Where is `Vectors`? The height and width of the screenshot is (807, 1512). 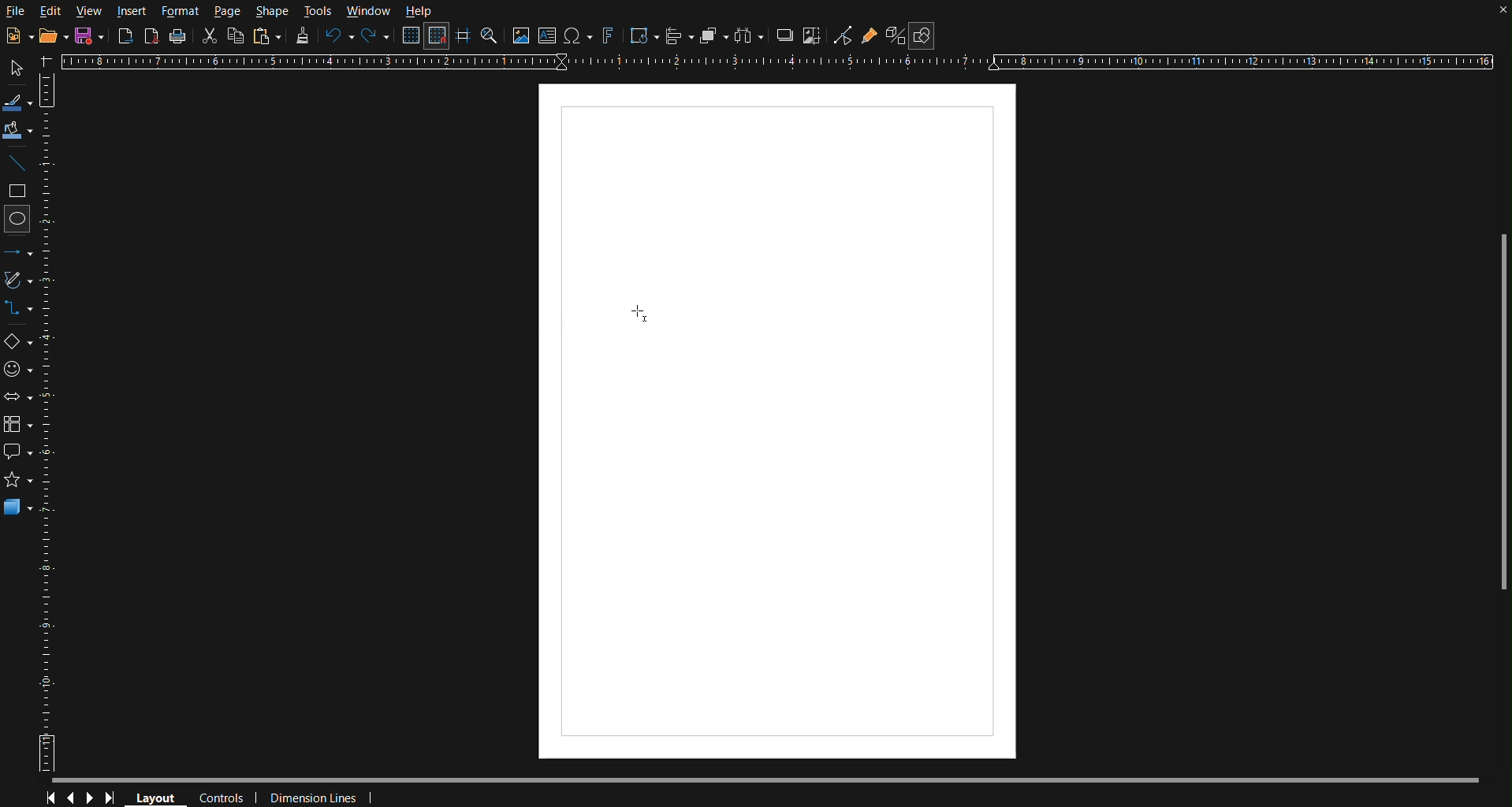 Vectors is located at coordinates (19, 280).